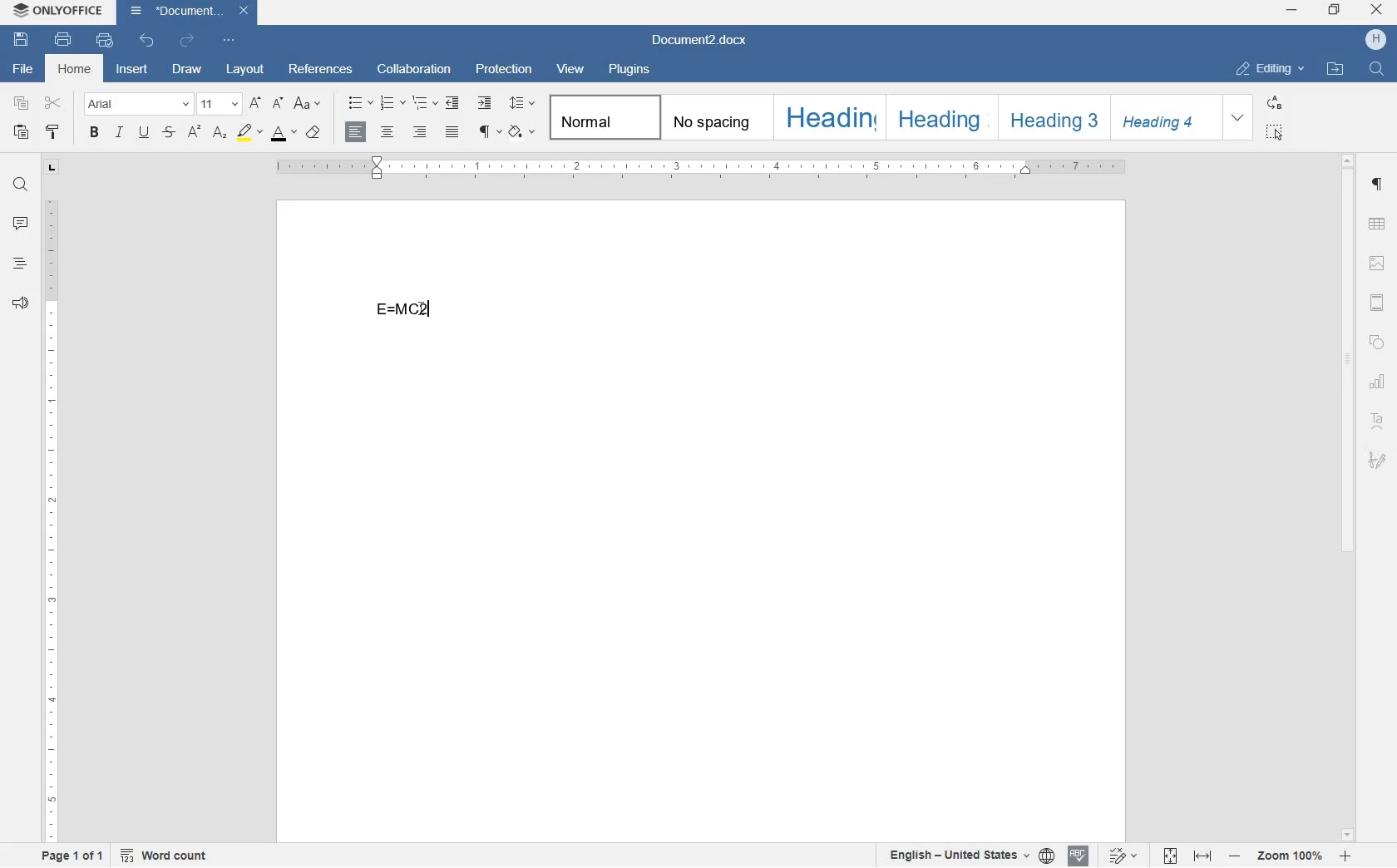  What do you see at coordinates (355, 131) in the screenshot?
I see `align left` at bounding box center [355, 131].